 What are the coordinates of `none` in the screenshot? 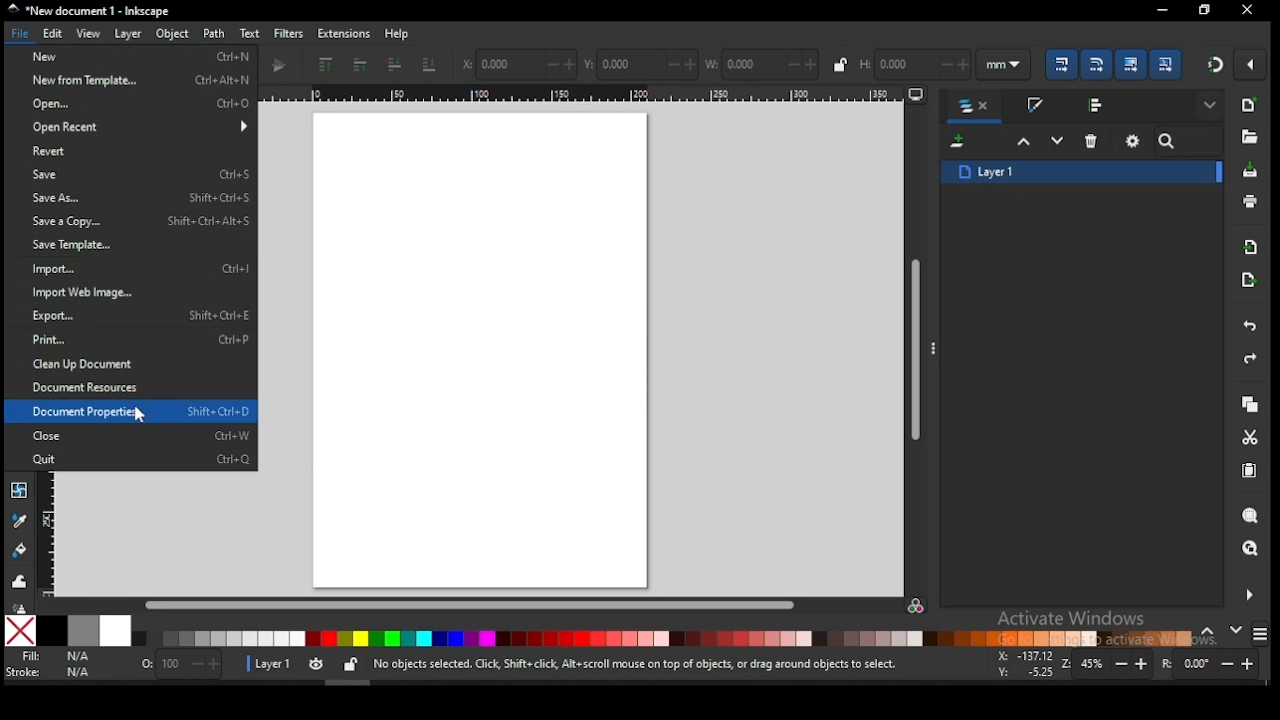 It's located at (20, 631).